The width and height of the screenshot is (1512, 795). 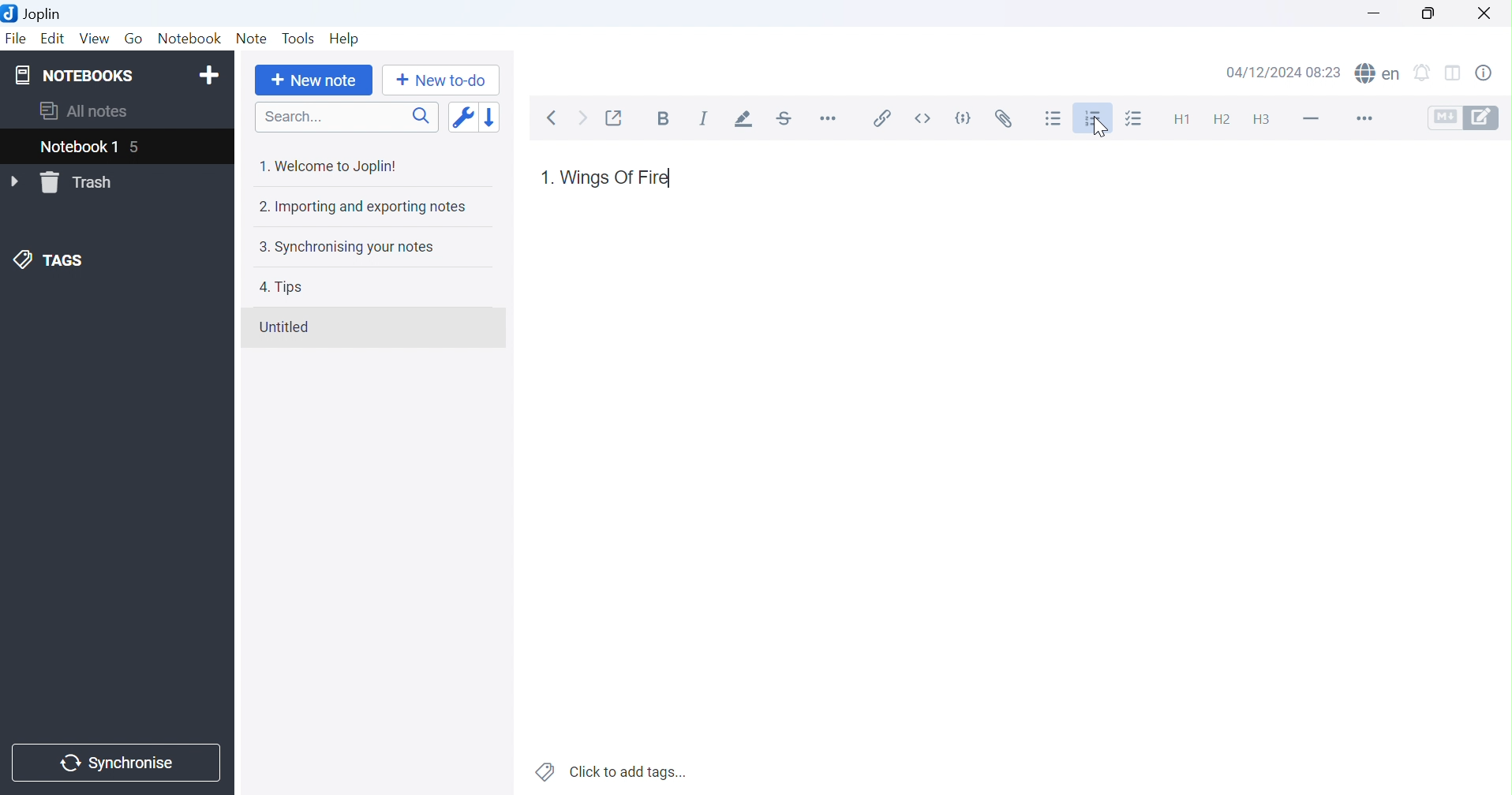 What do you see at coordinates (283, 327) in the screenshot?
I see `Untitled` at bounding box center [283, 327].